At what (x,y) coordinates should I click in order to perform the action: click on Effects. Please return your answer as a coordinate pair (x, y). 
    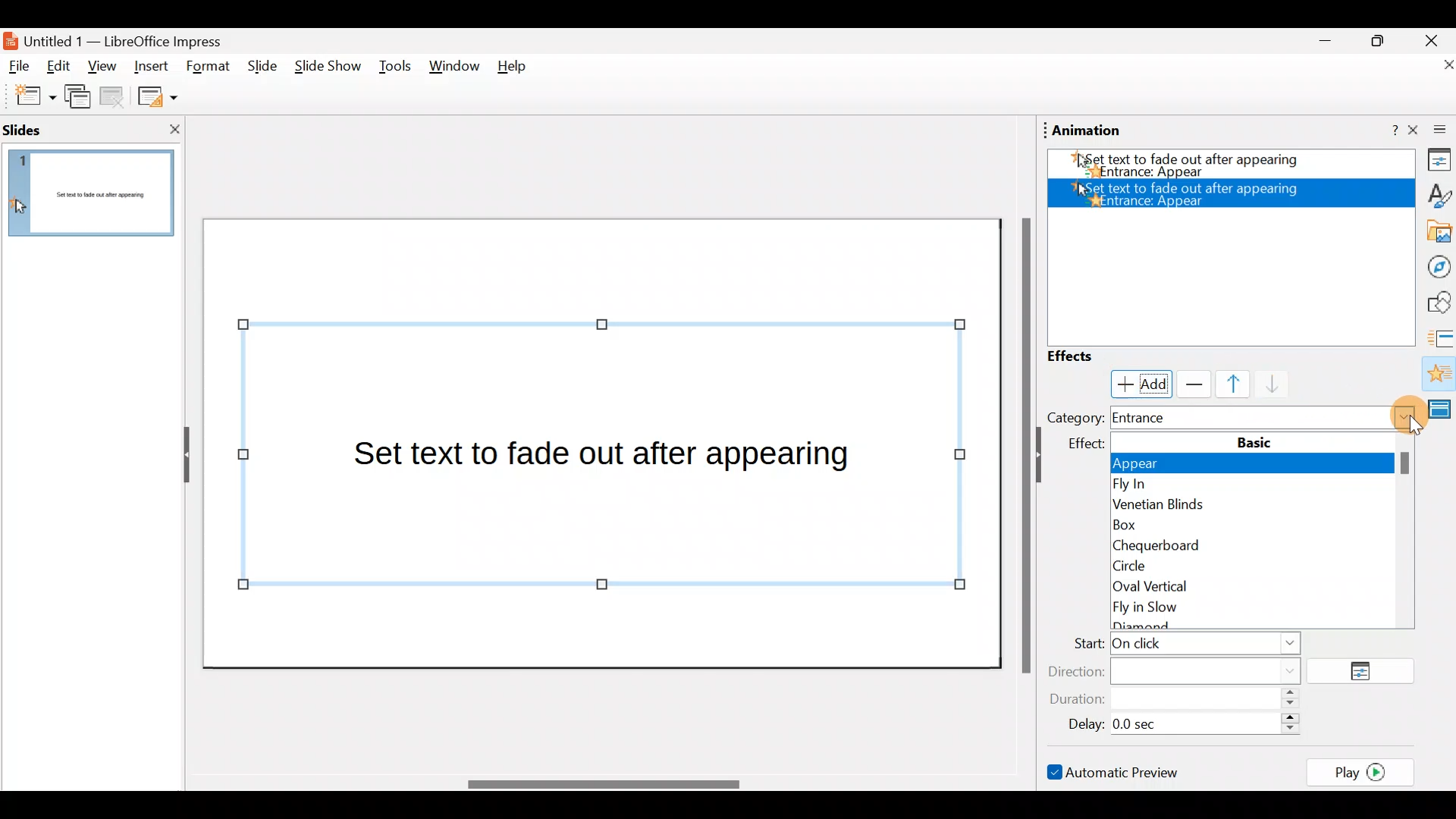
    Looking at the image, I should click on (1084, 356).